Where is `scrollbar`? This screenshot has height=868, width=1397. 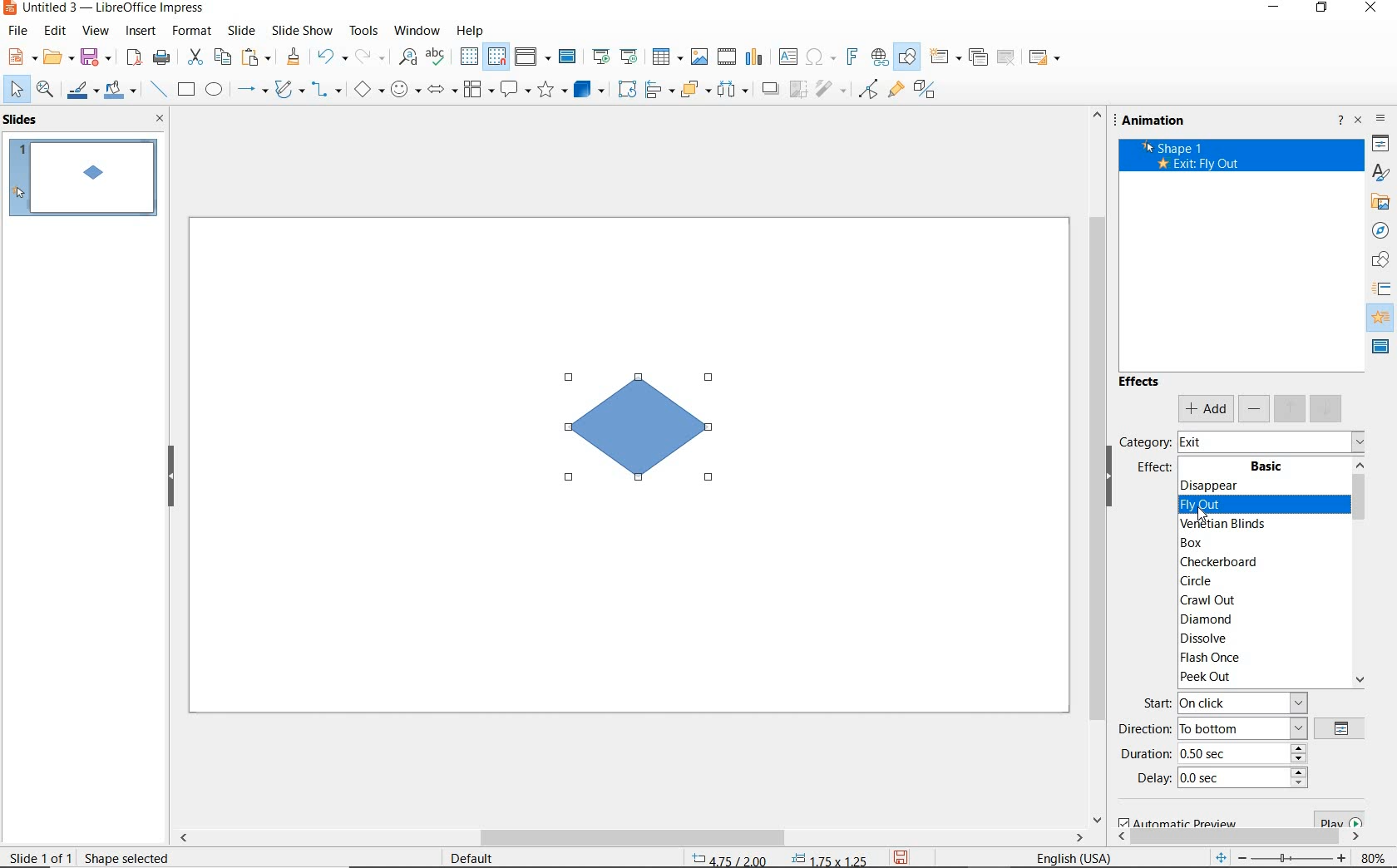 scrollbar is located at coordinates (639, 835).